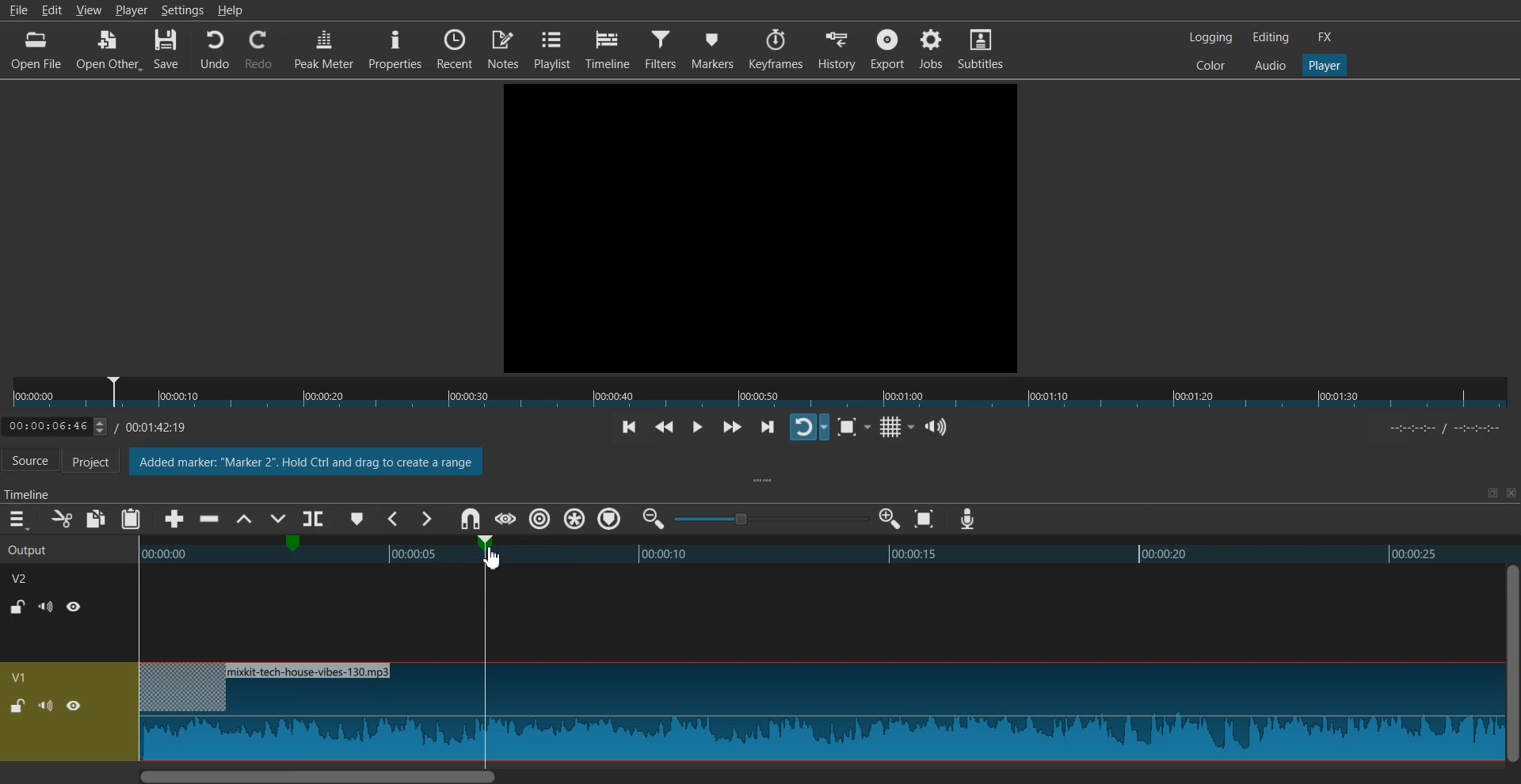  I want to click on Play quickly forwards, so click(732, 427).